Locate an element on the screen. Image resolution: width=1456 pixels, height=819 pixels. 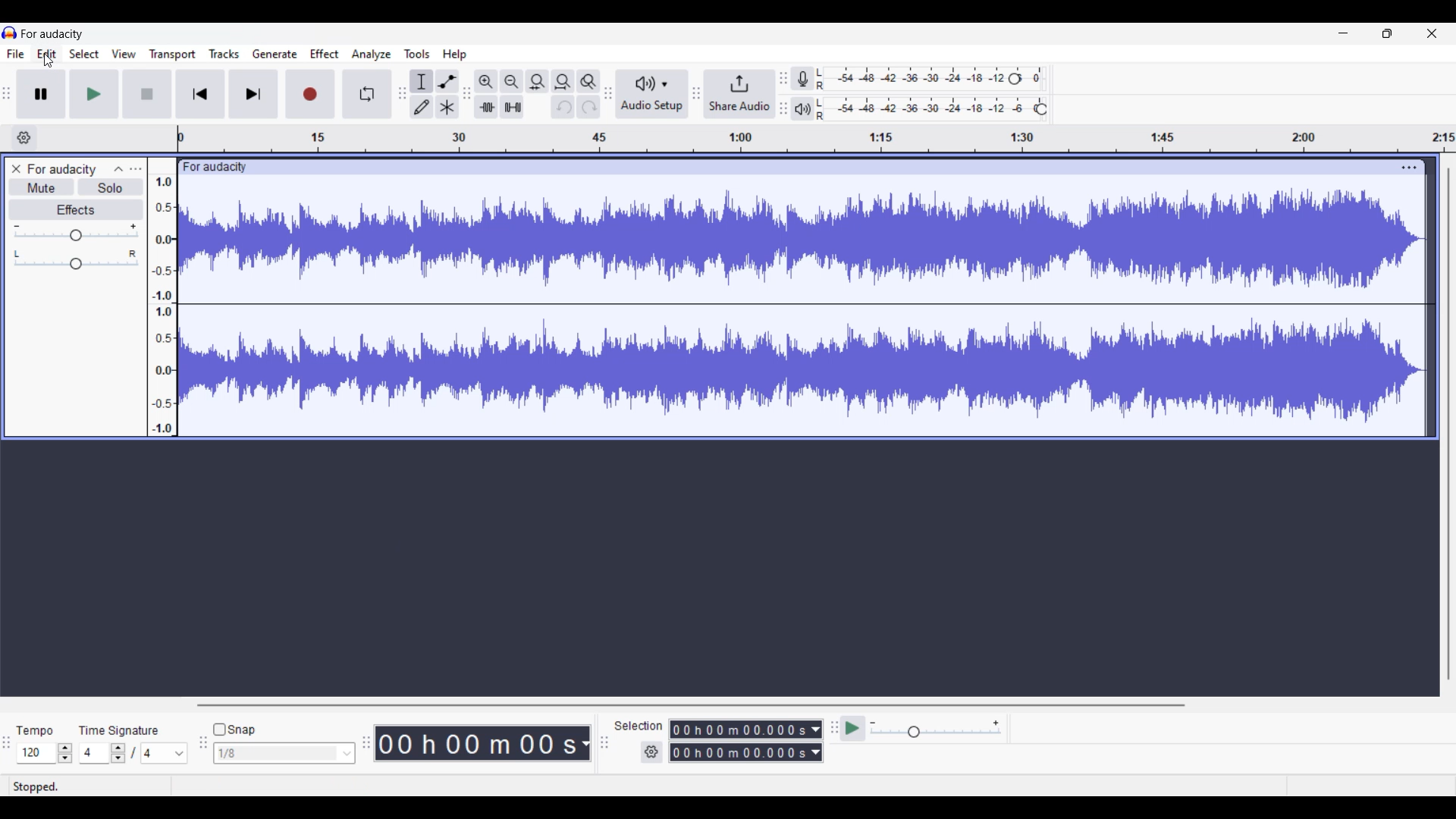
Show in smaller tab is located at coordinates (1387, 33).